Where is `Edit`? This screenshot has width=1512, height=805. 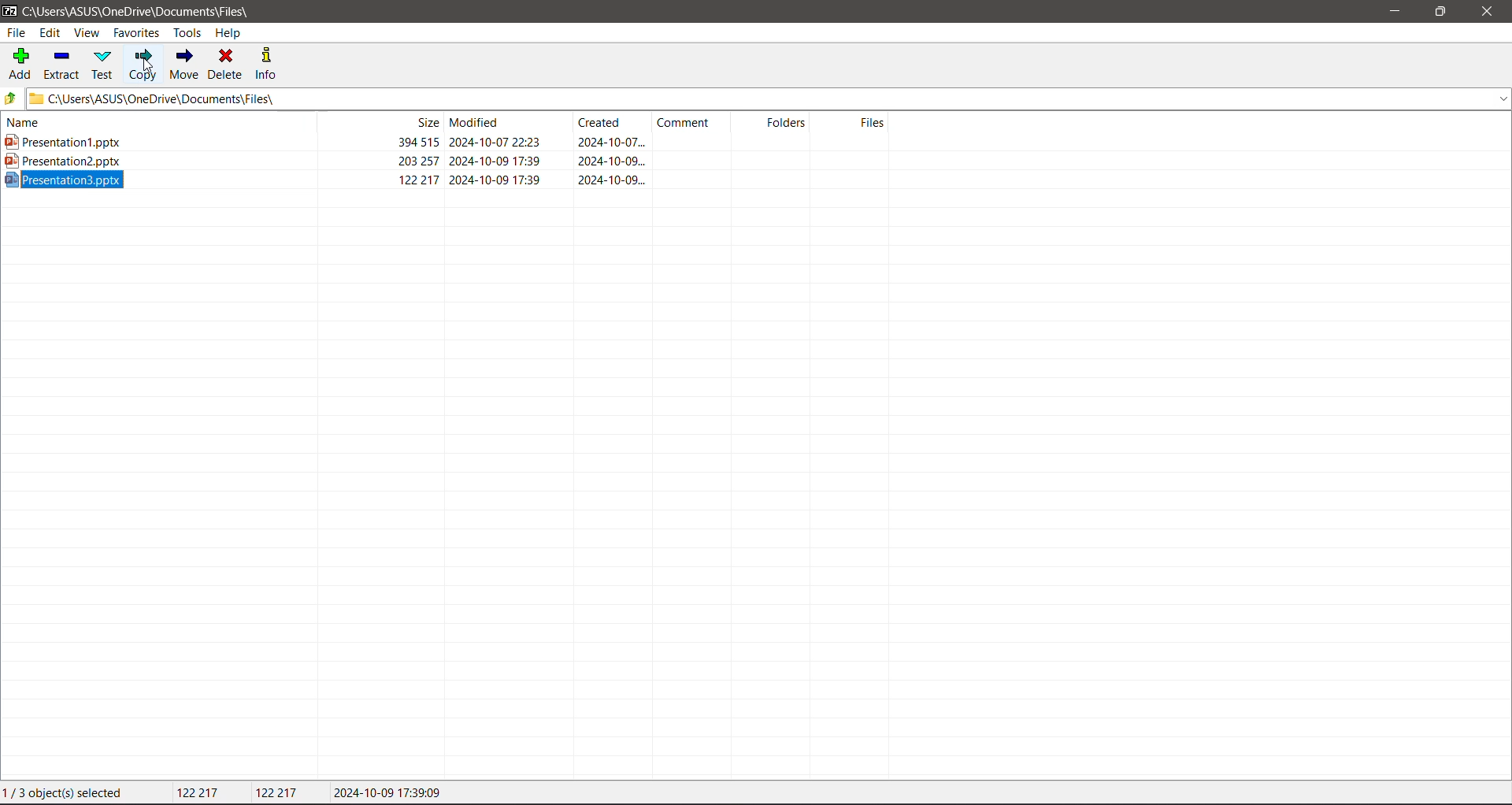 Edit is located at coordinates (50, 33).